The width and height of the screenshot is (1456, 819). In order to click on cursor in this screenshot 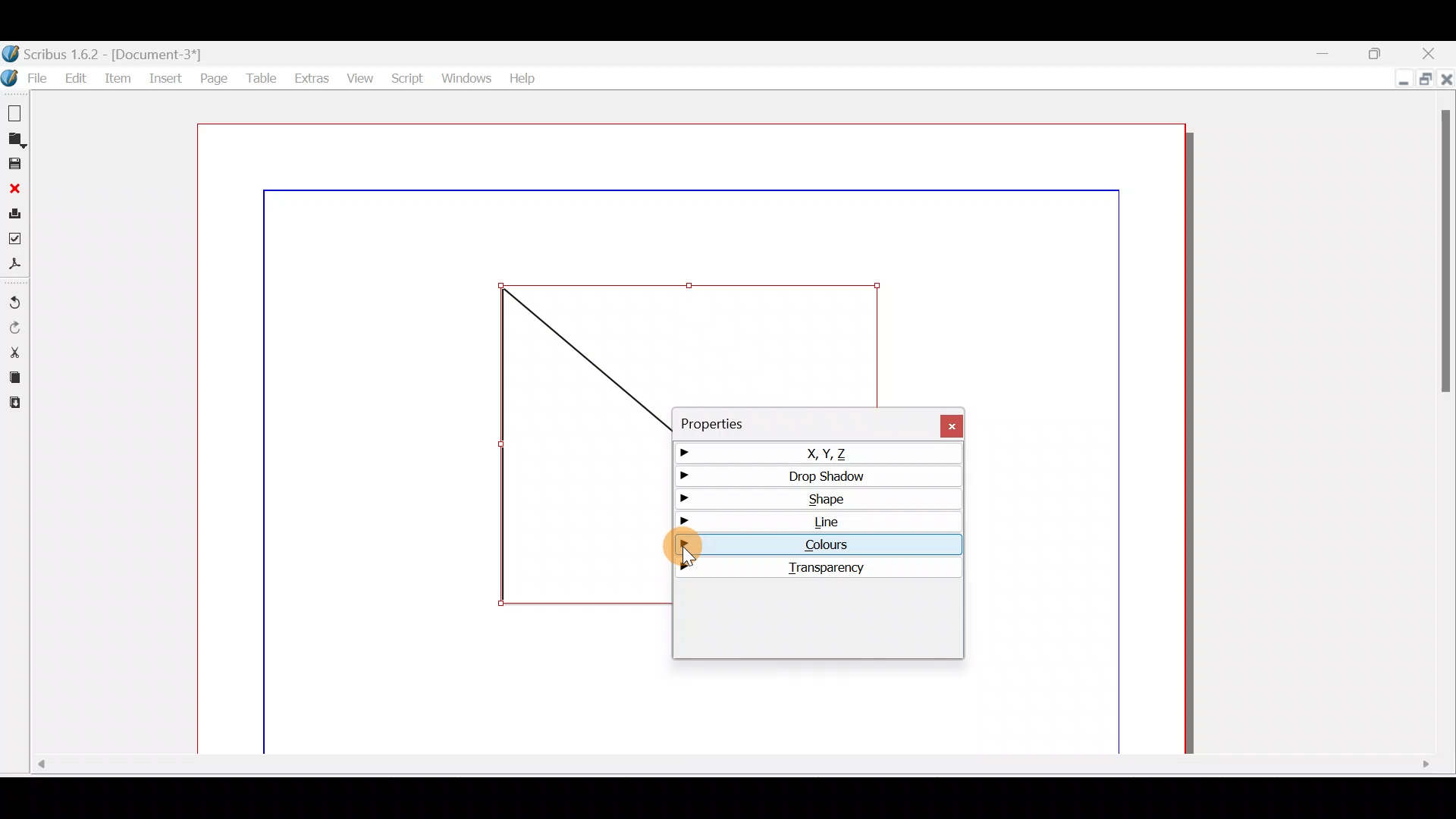, I will do `click(682, 555)`.